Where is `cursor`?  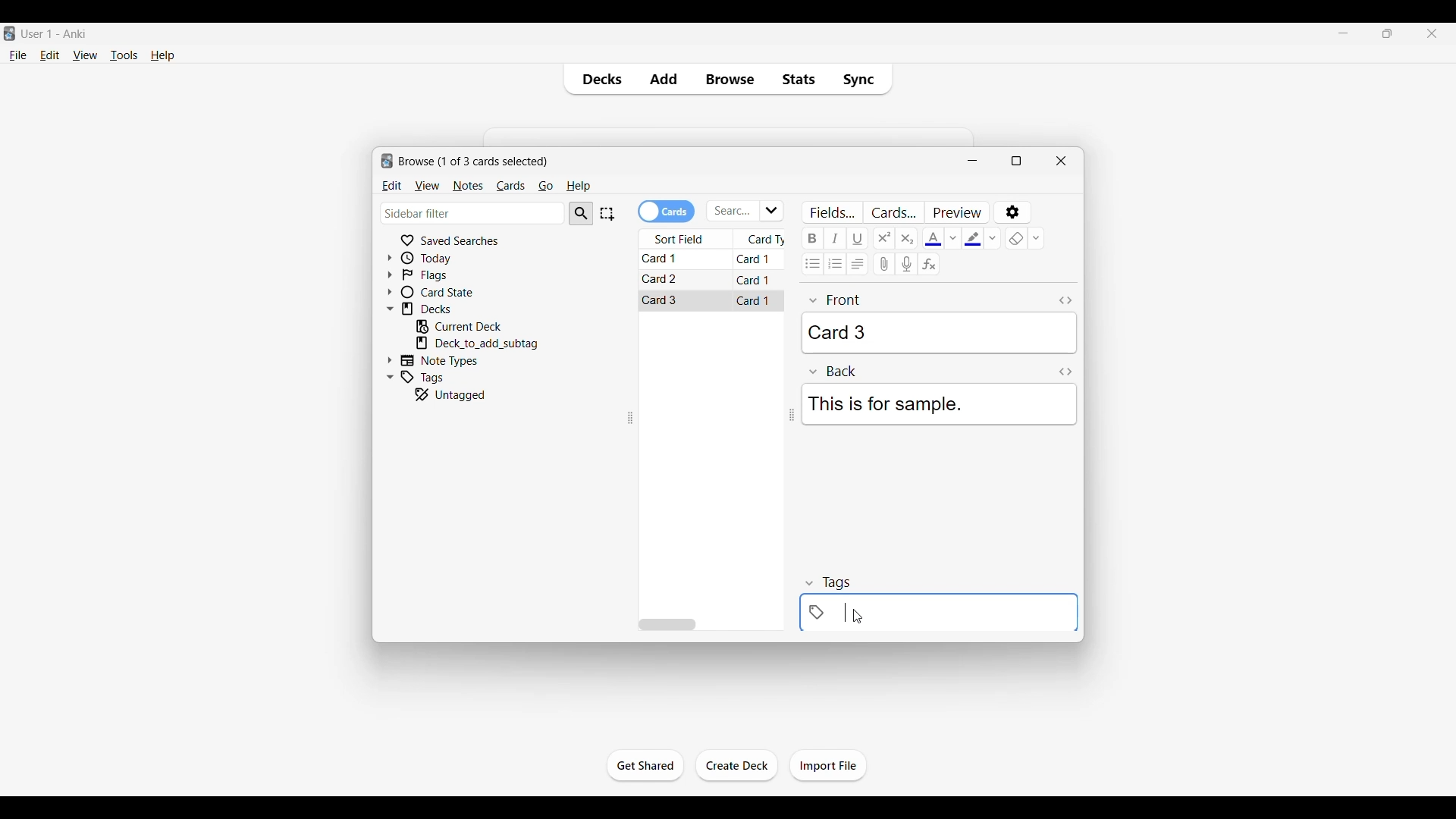 cursor is located at coordinates (857, 617).